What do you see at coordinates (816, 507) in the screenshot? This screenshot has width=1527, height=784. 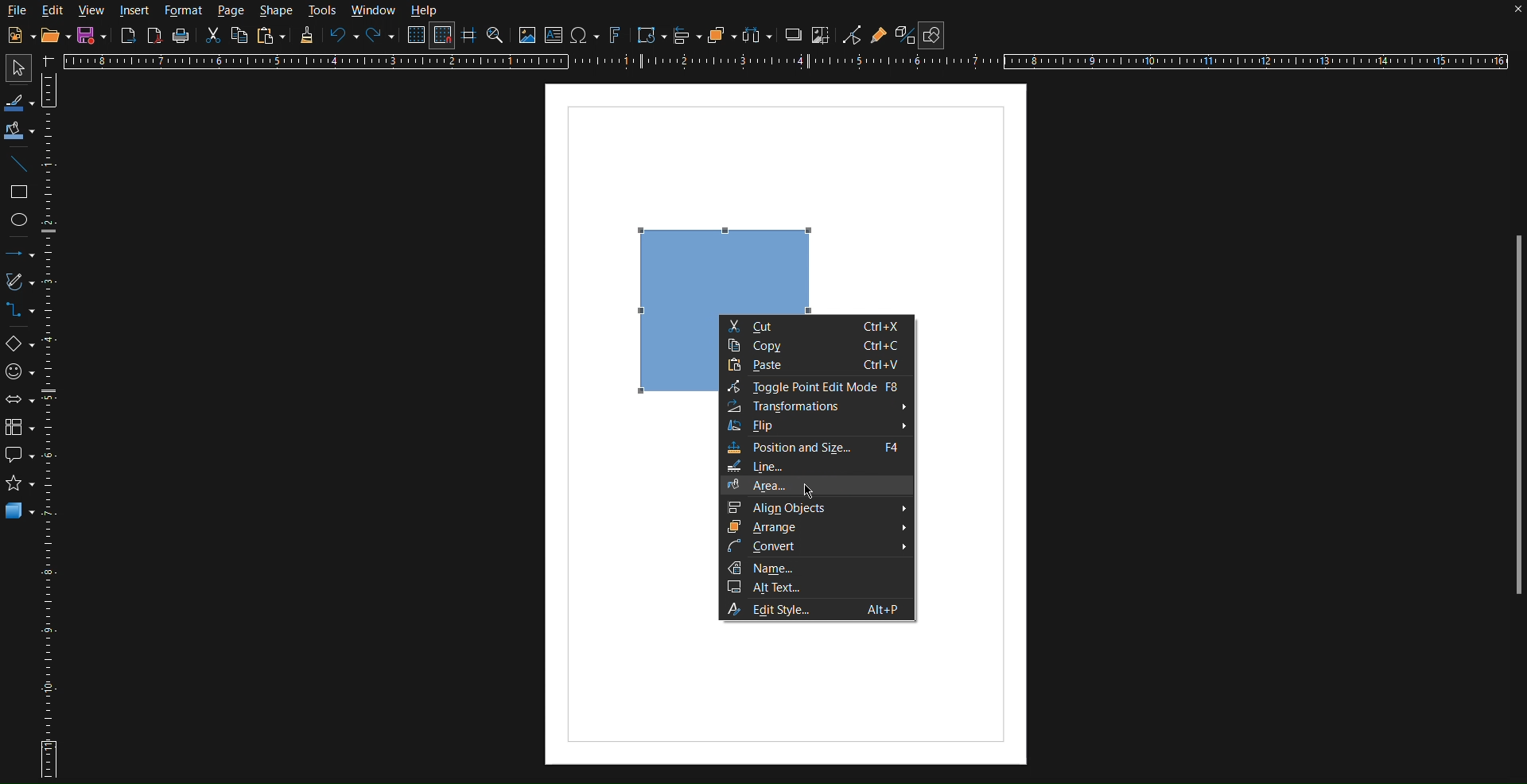 I see `Align Objects` at bounding box center [816, 507].